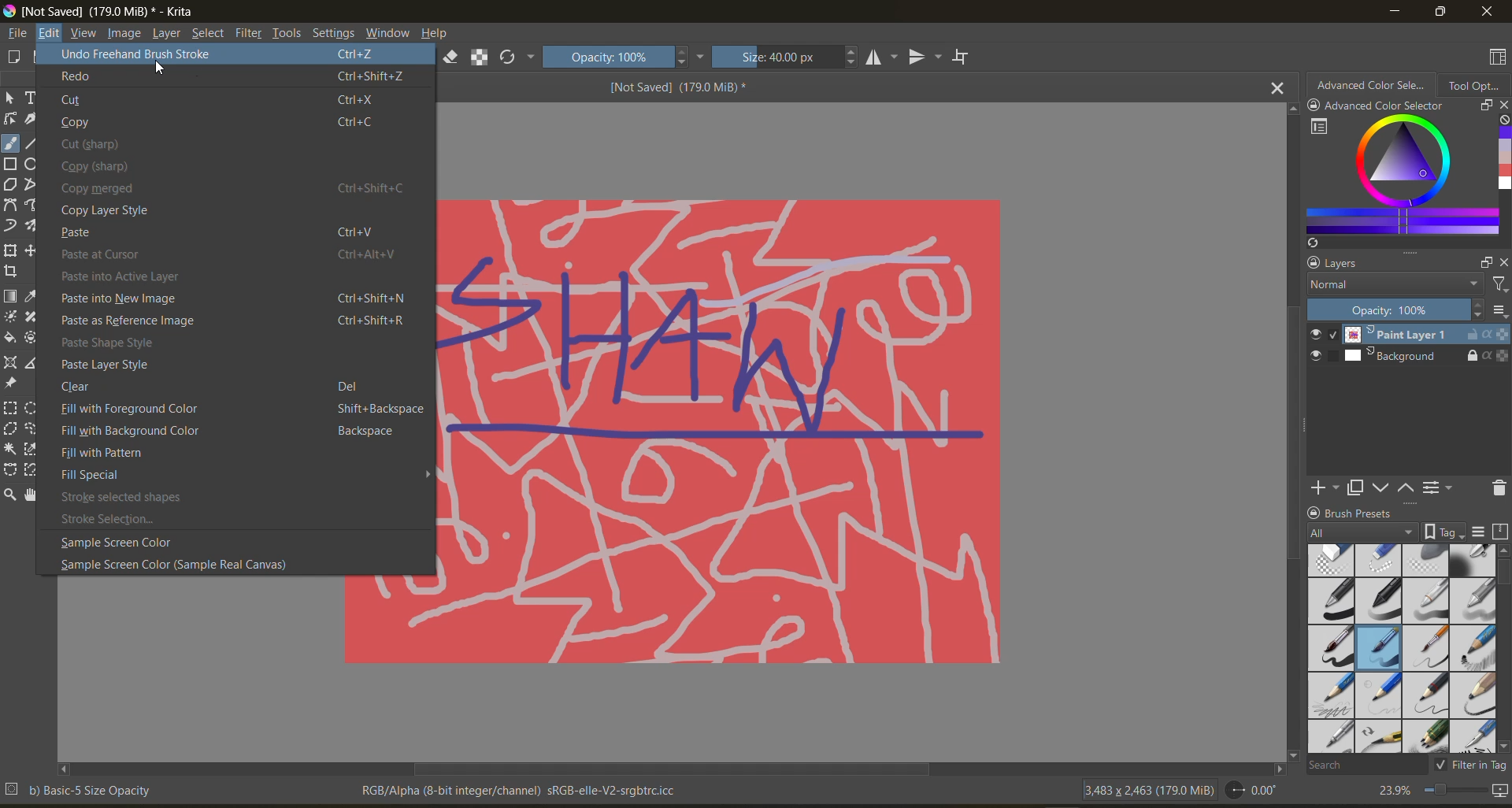 Image resolution: width=1512 pixels, height=808 pixels. I want to click on add, so click(1322, 487).